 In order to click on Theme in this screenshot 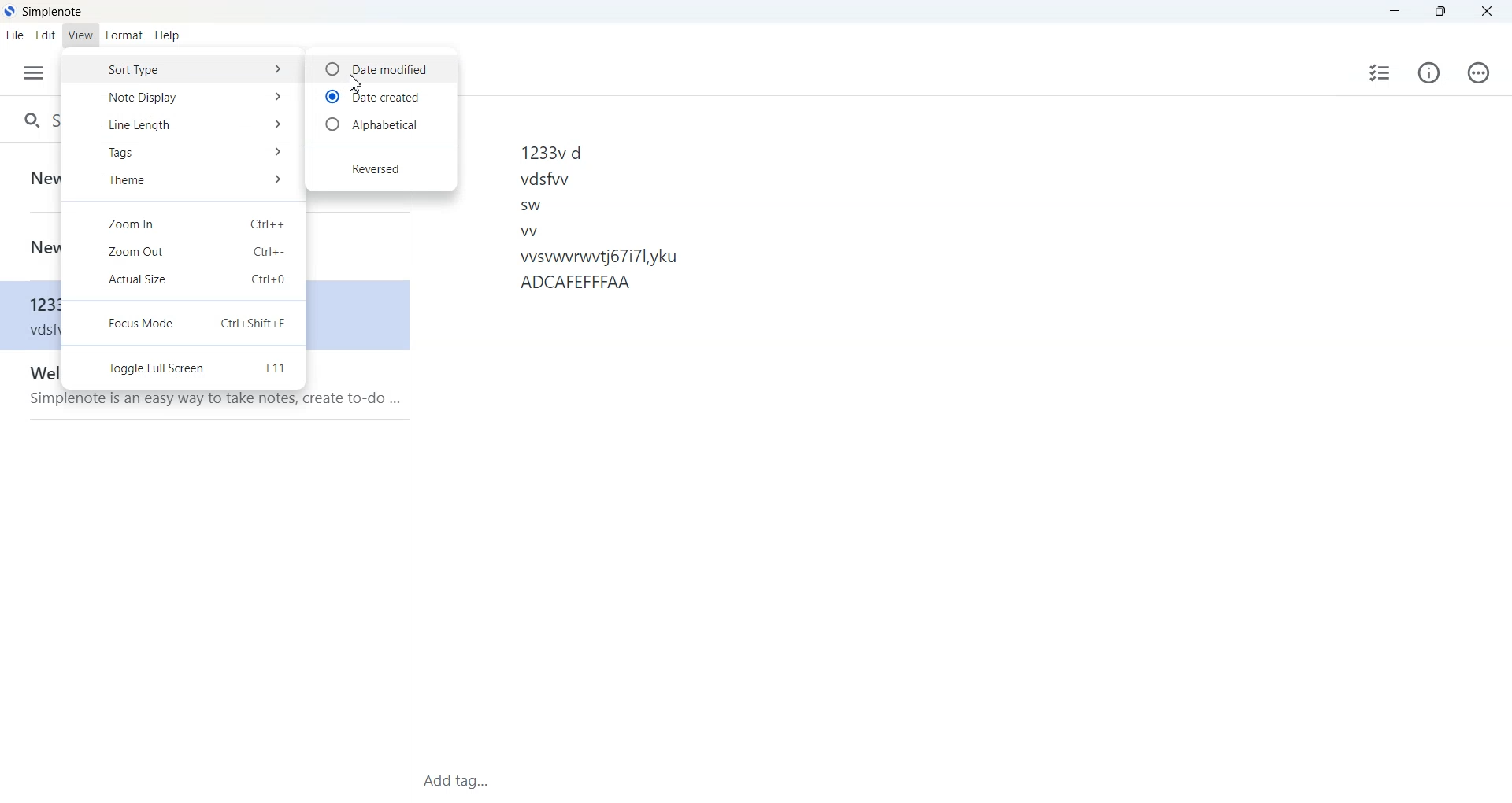, I will do `click(183, 182)`.